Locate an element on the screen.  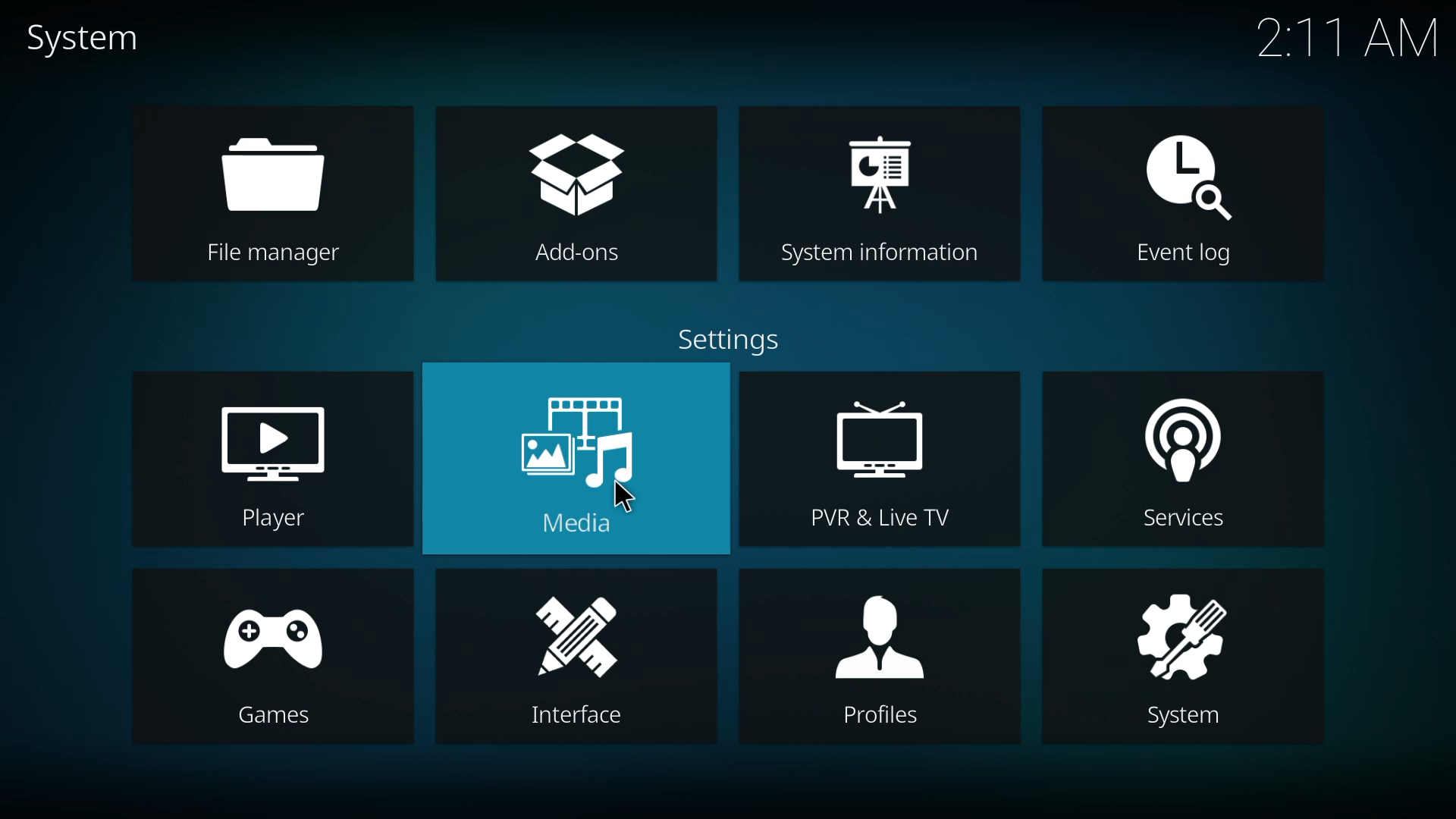
profiles is located at coordinates (880, 657).